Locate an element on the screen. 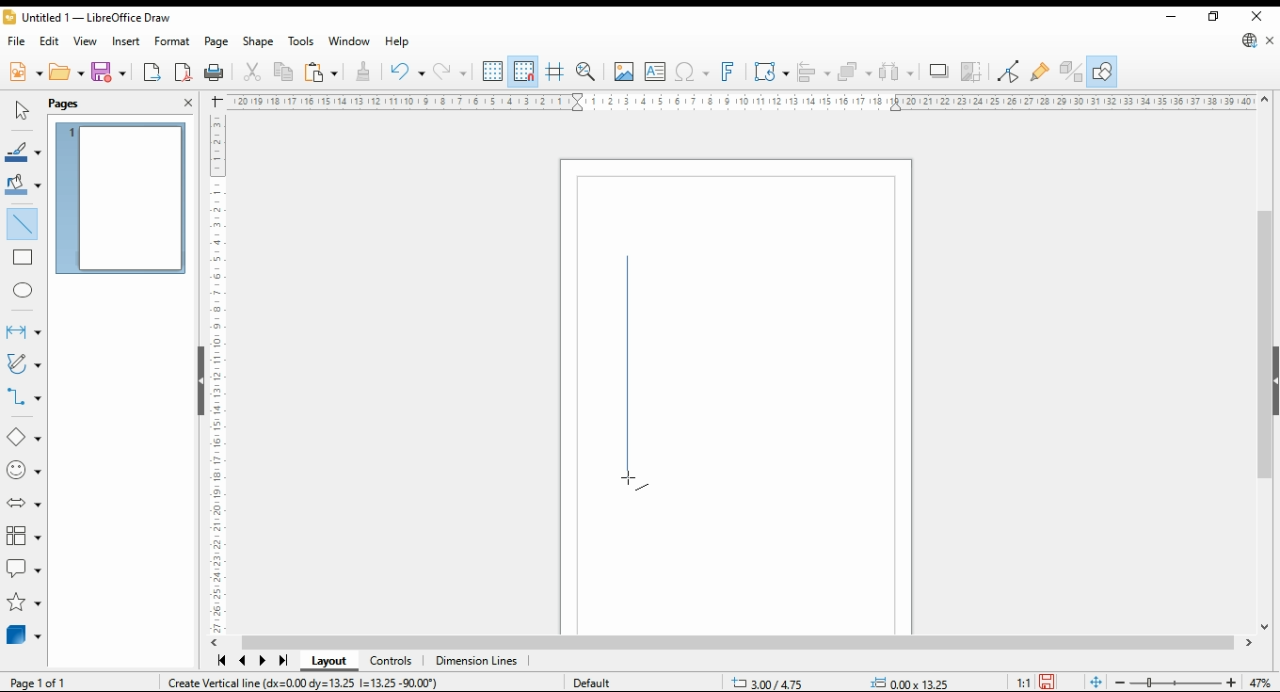 This screenshot has width=1280, height=692. last page is located at coordinates (282, 661).